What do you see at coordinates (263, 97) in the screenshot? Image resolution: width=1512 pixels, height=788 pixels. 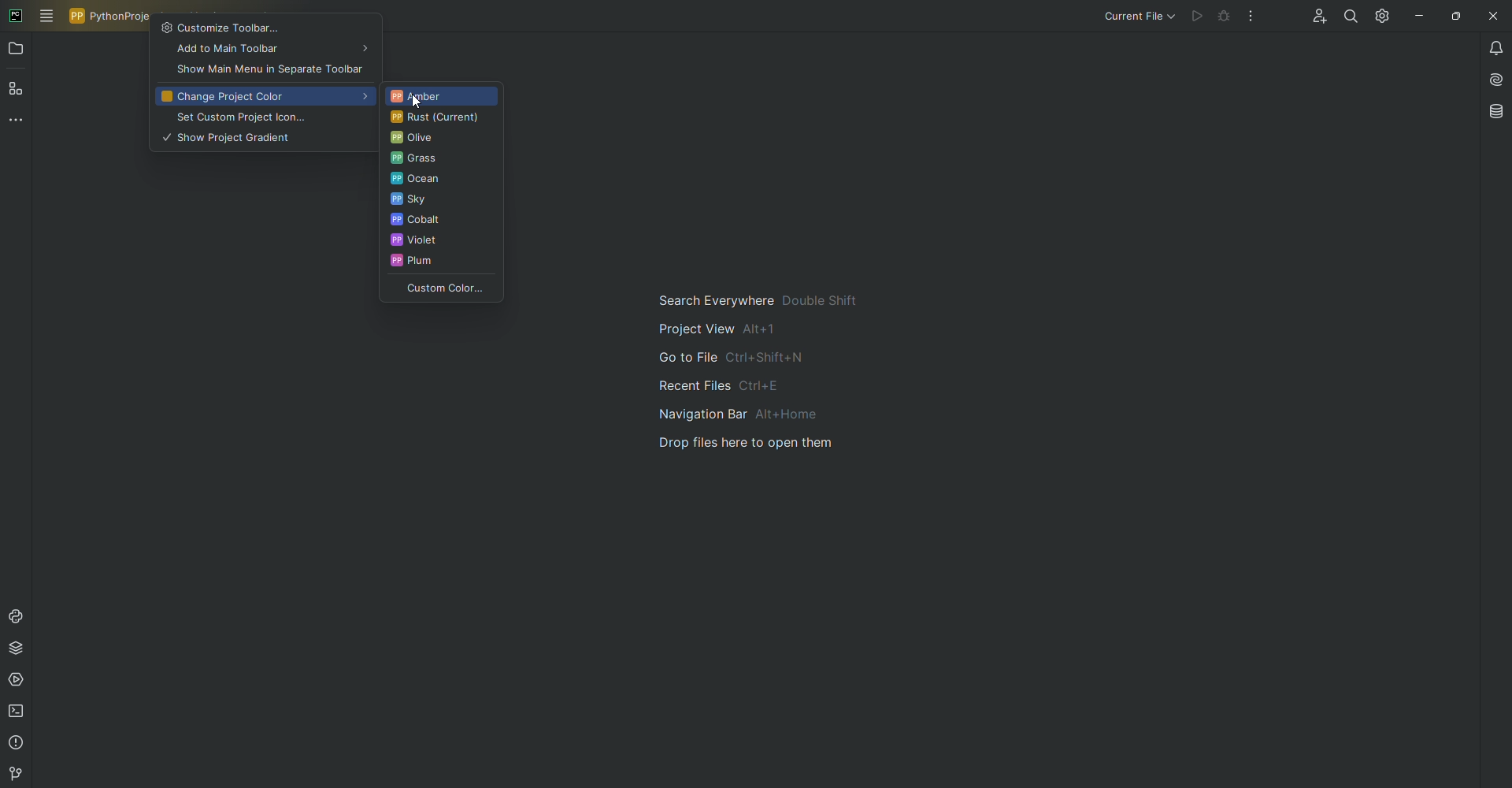 I see `Change Project Color` at bounding box center [263, 97].